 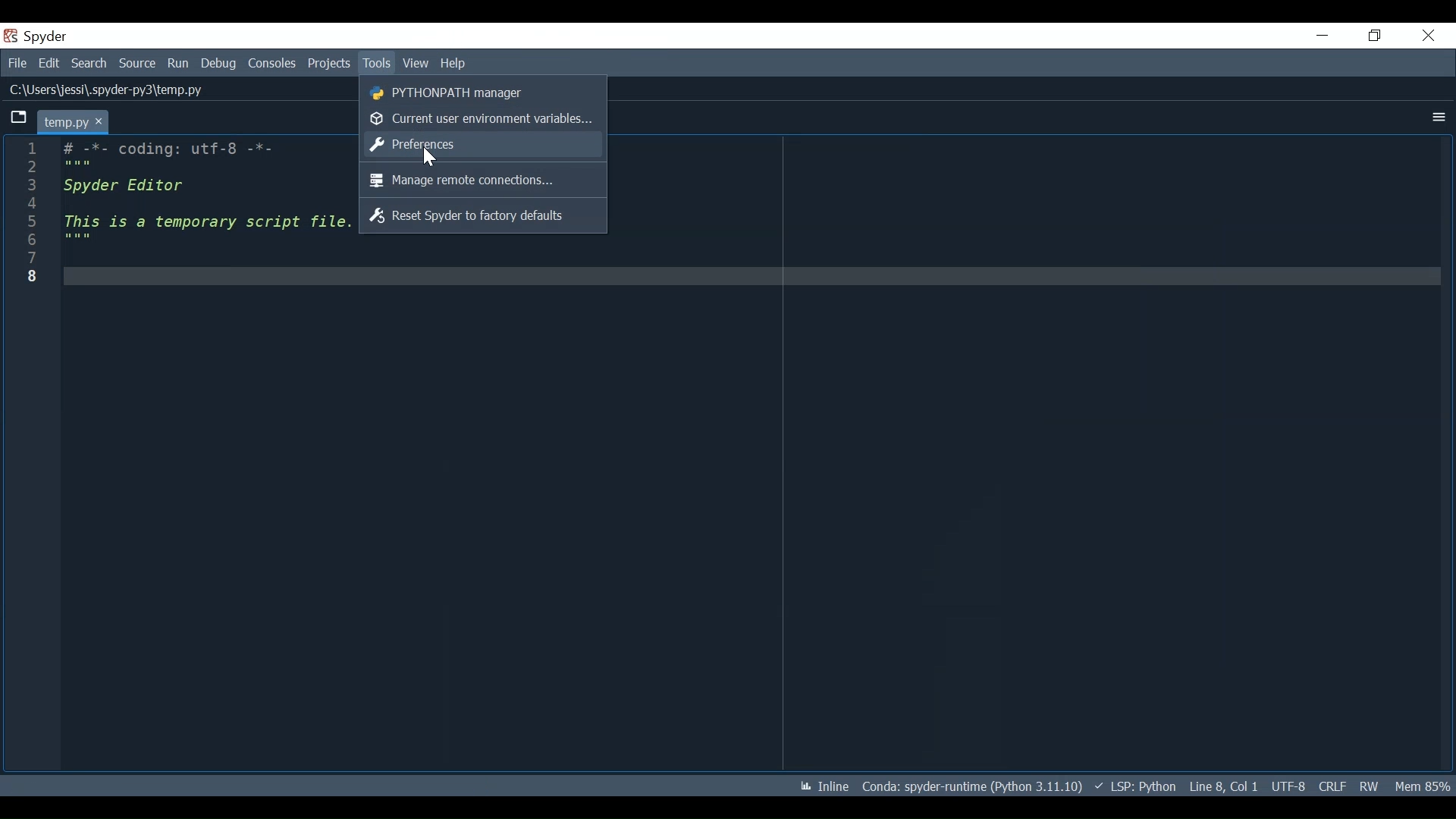 I want to click on Search, so click(x=89, y=64).